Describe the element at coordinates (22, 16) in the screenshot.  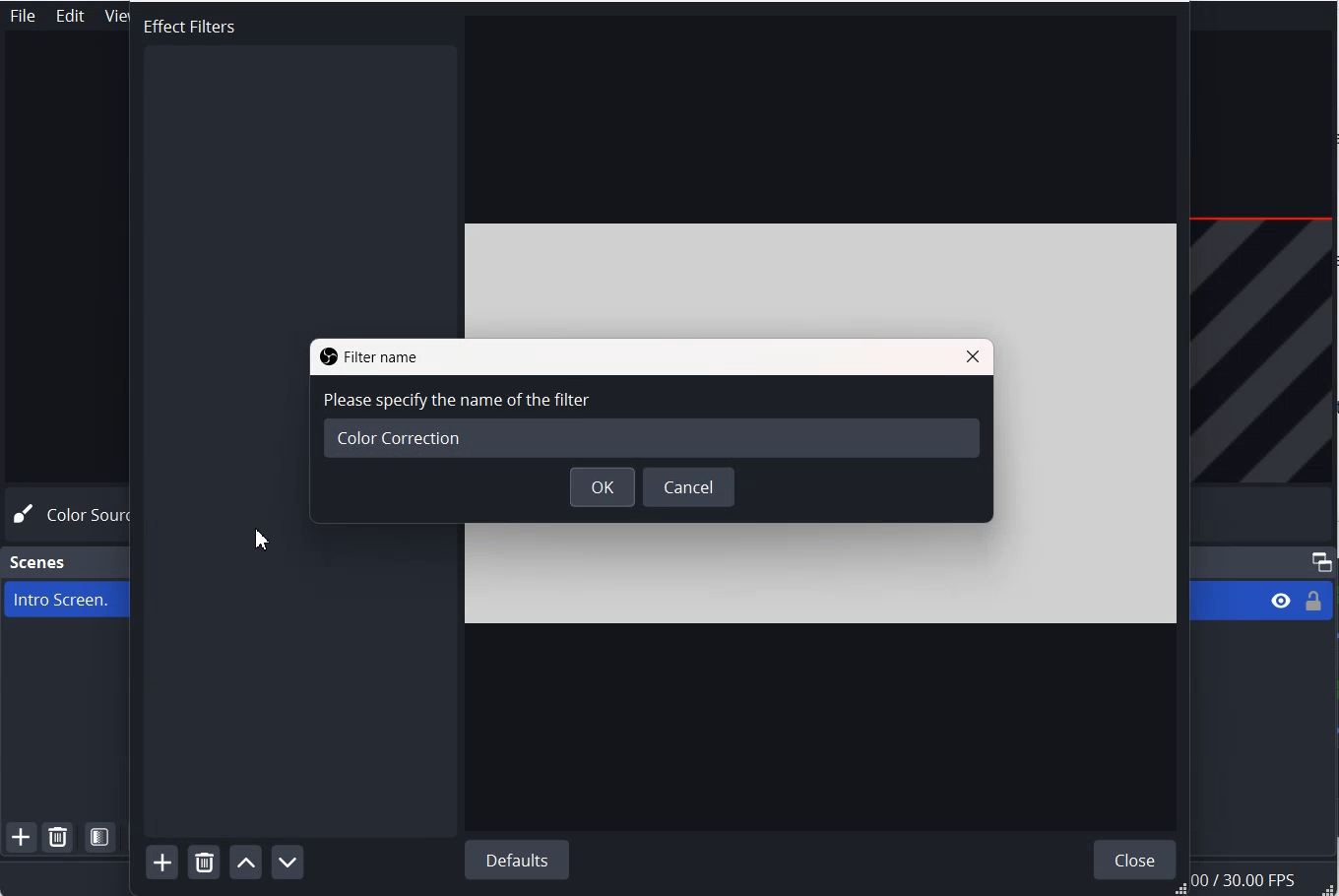
I see `File` at that location.